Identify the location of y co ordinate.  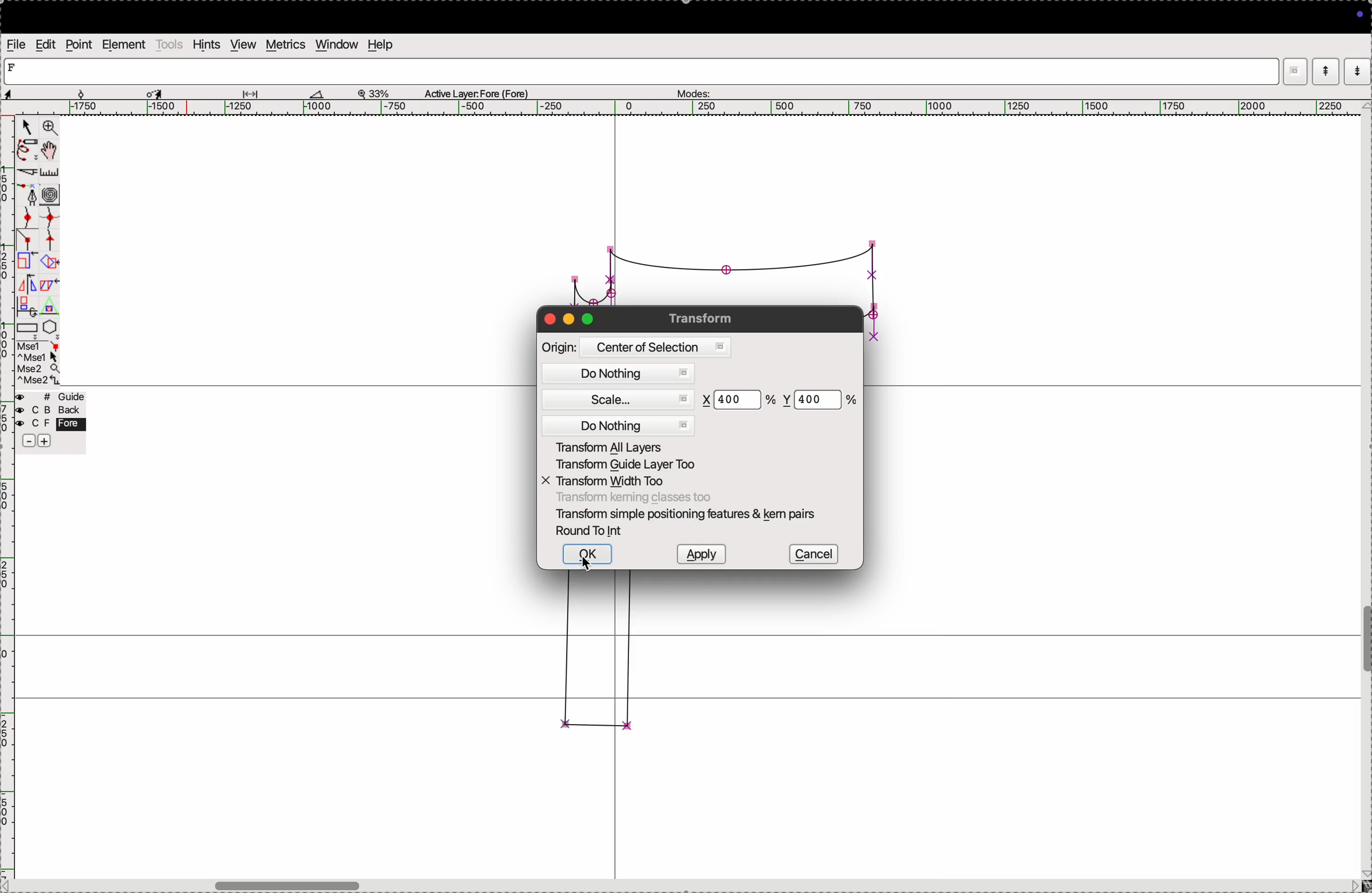
(789, 400).